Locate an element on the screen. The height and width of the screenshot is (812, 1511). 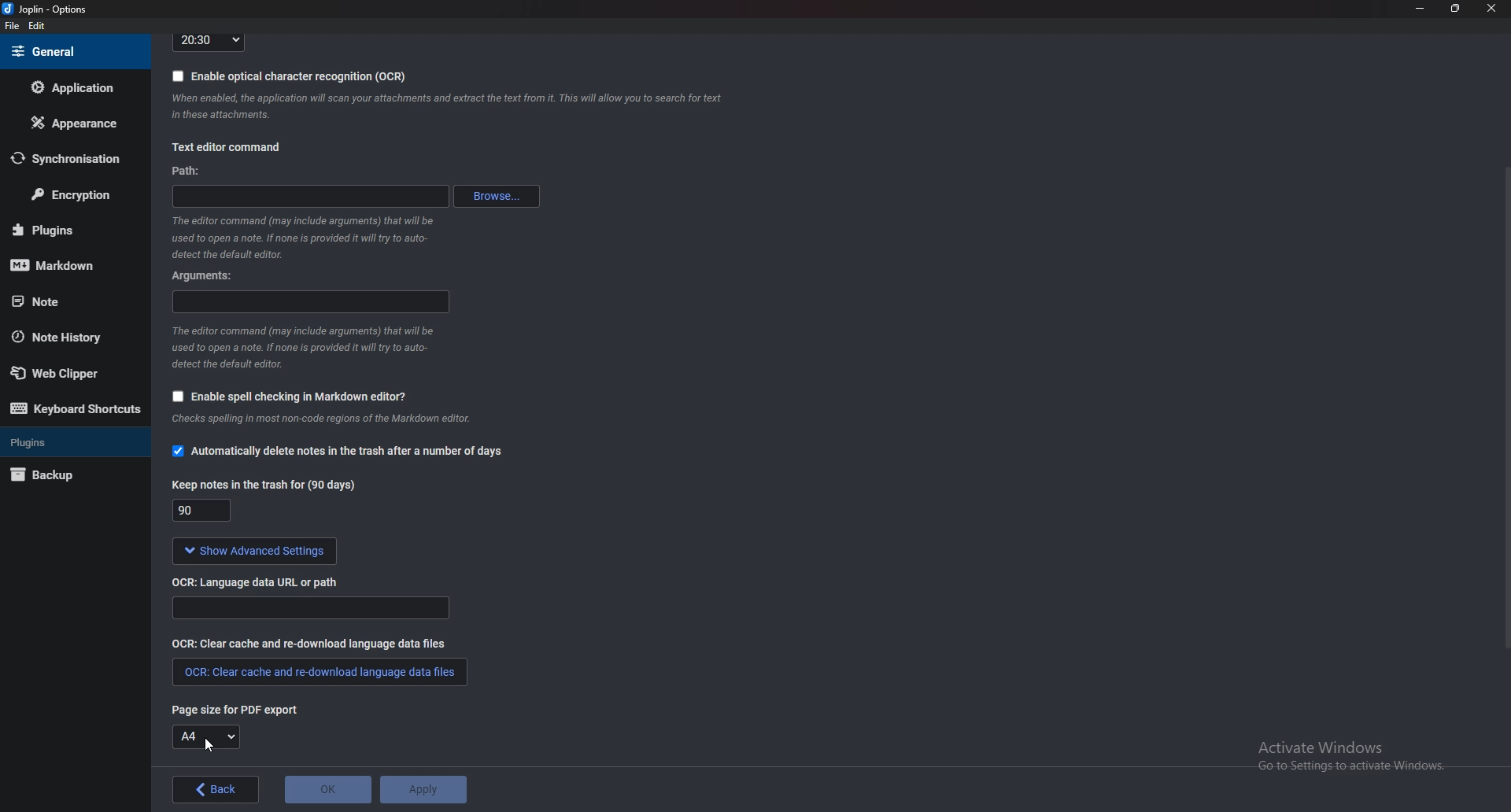
Info on editor command is located at coordinates (302, 347).